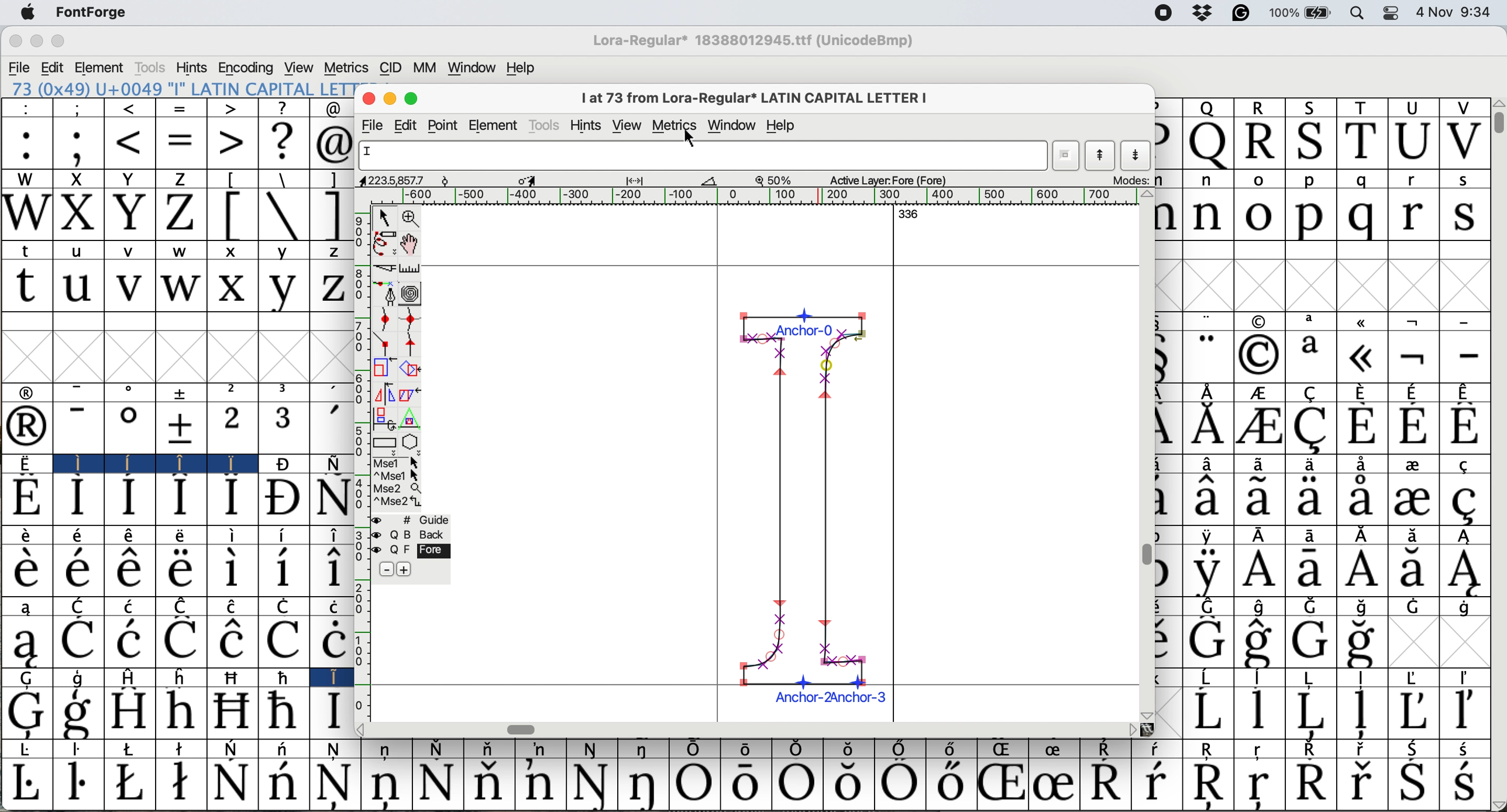  Describe the element at coordinates (1210, 605) in the screenshot. I see `Symbol` at that location.